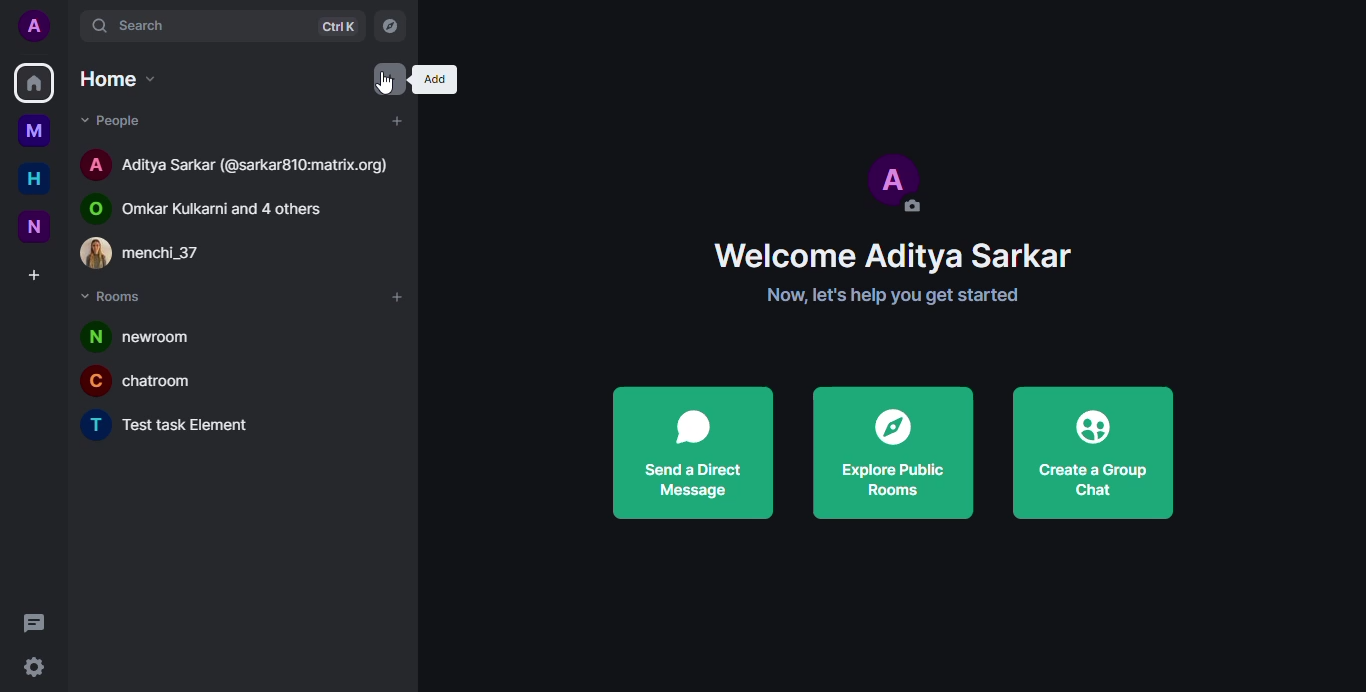  Describe the element at coordinates (393, 297) in the screenshot. I see `add` at that location.